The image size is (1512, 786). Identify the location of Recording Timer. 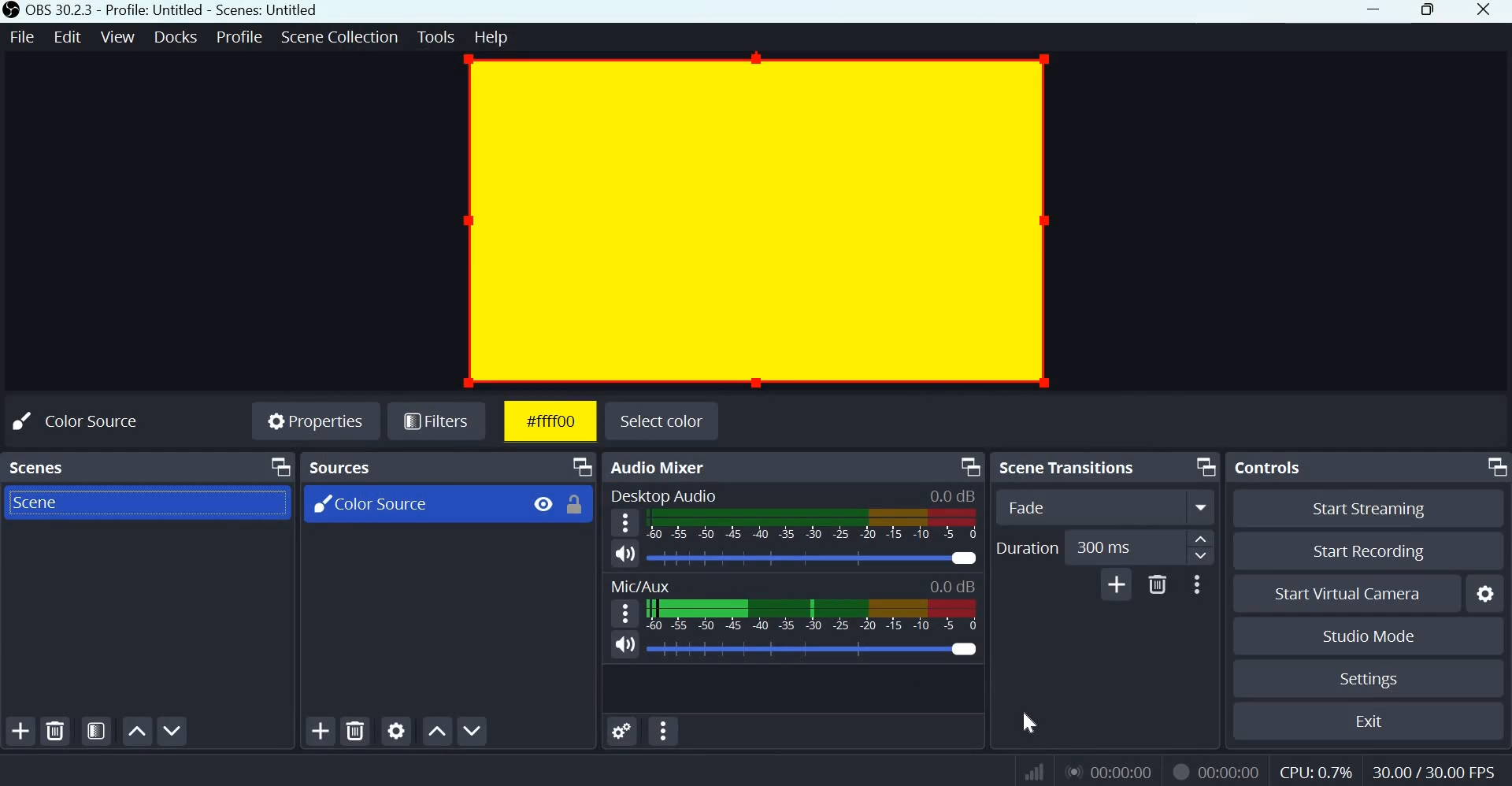
(1231, 771).